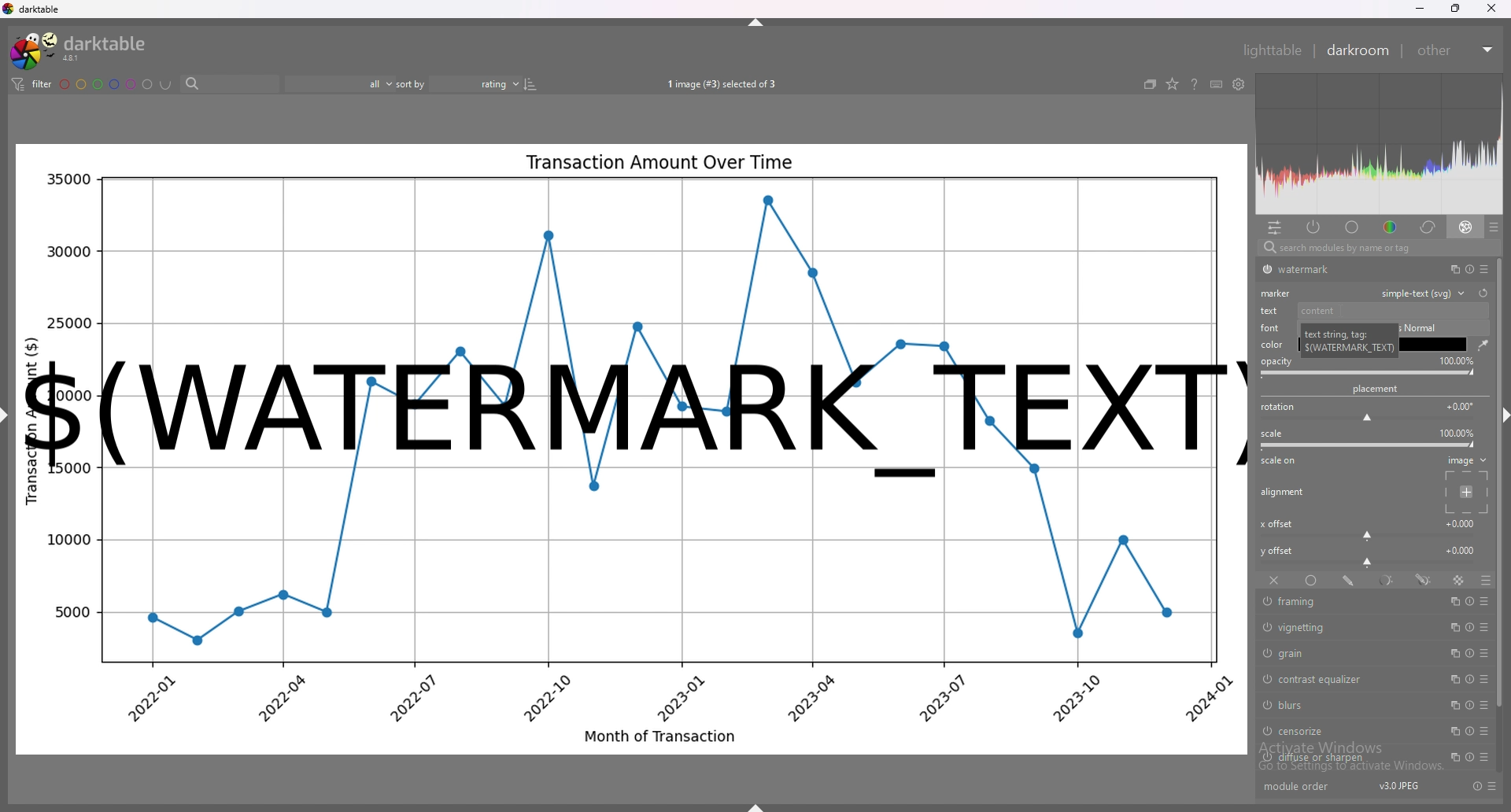 The height and width of the screenshot is (812, 1511). I want to click on heat map, so click(1379, 144).